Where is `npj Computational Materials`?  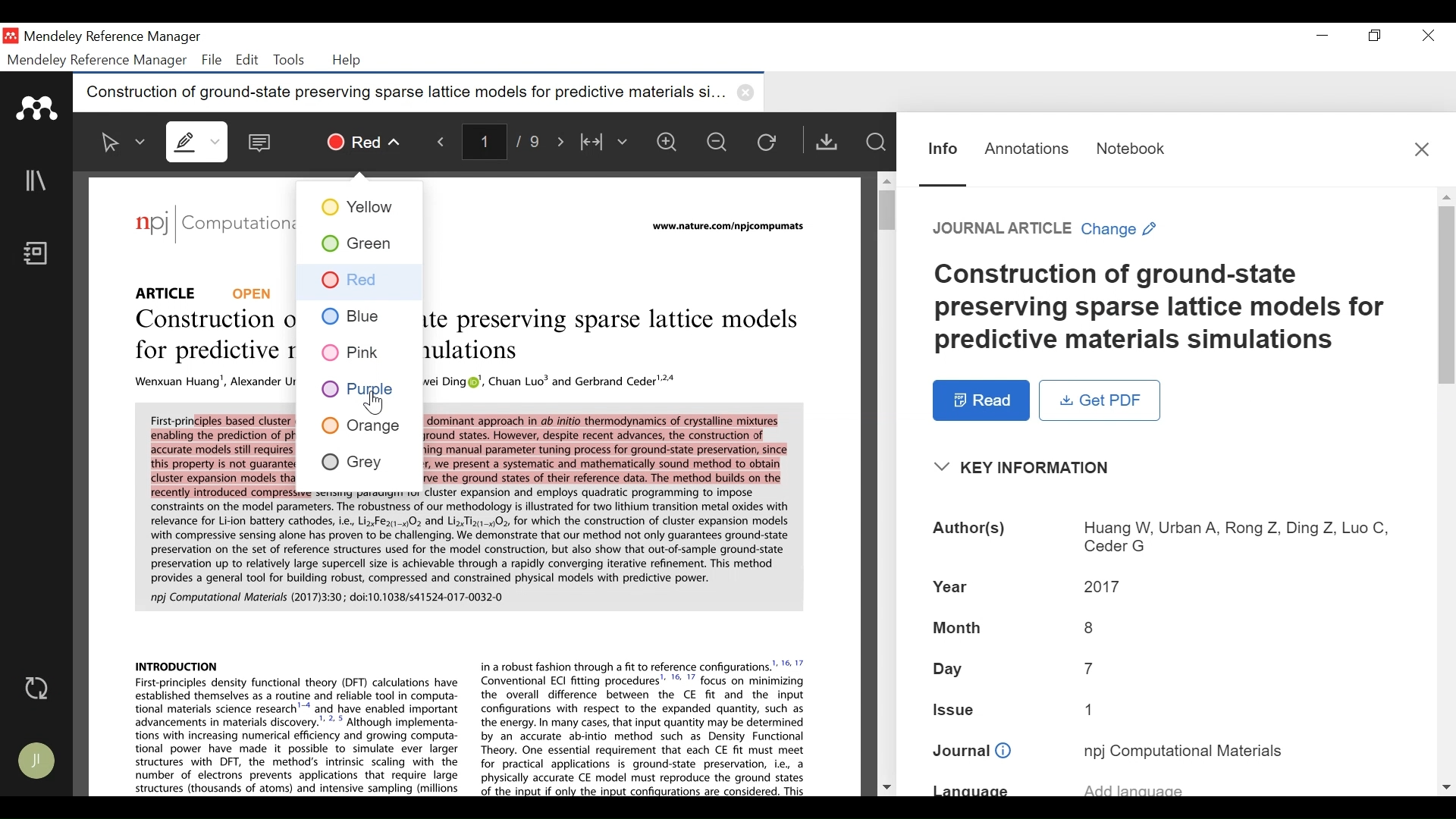
npj Computational Materials is located at coordinates (1182, 752).